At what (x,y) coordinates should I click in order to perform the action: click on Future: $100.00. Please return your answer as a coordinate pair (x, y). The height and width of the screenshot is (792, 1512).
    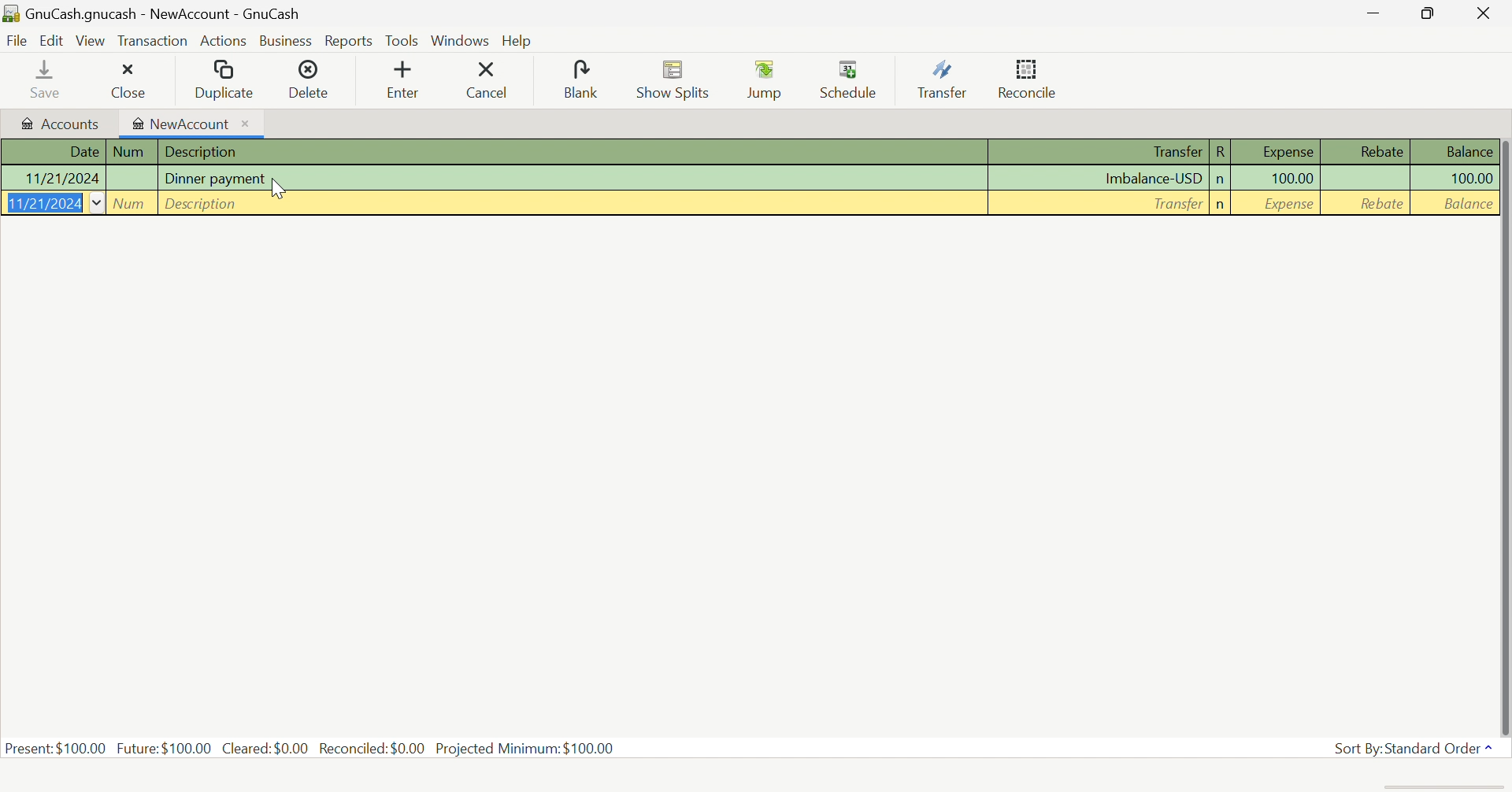
    Looking at the image, I should click on (164, 747).